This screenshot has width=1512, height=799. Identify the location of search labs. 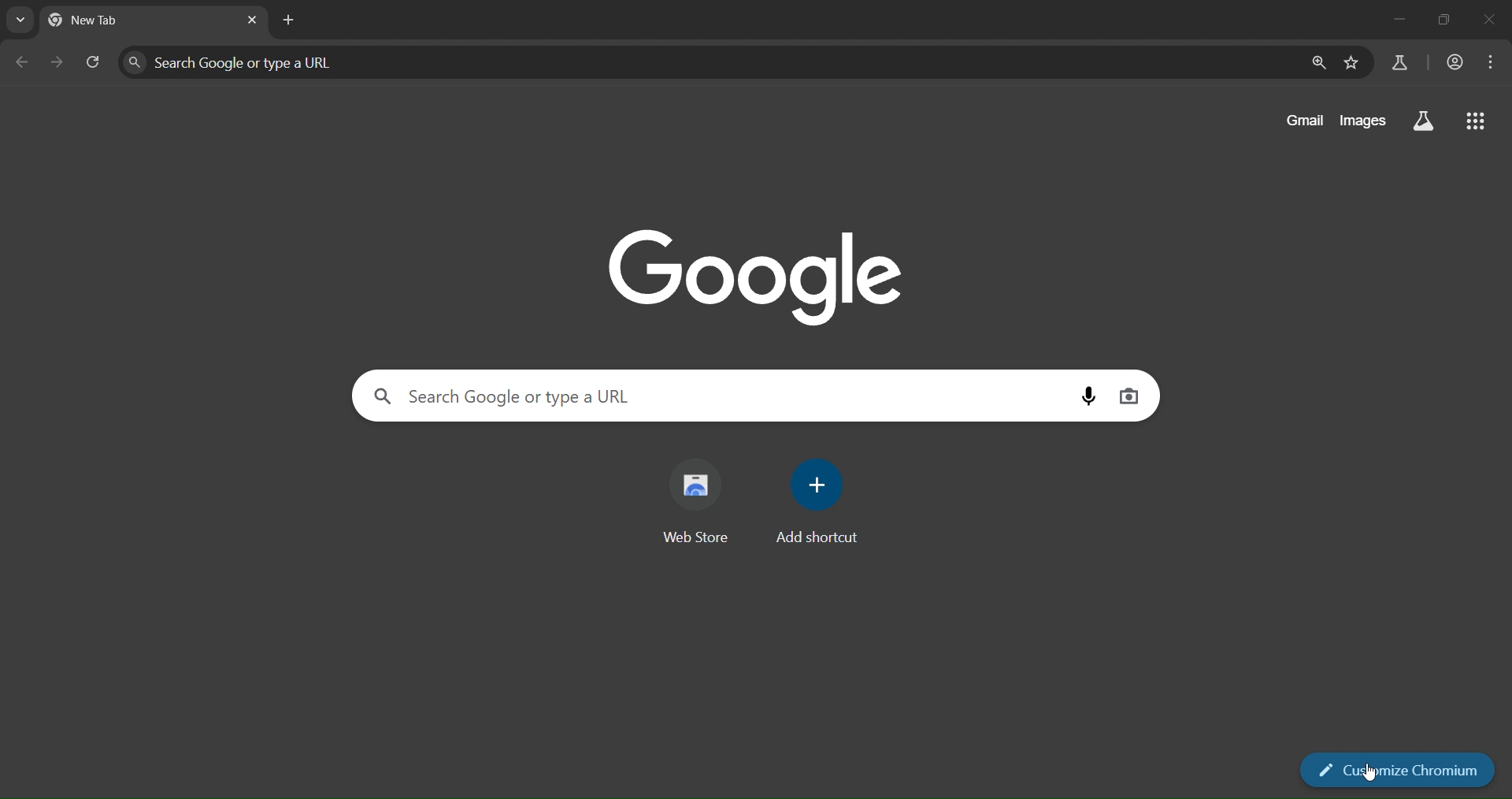
(1399, 62).